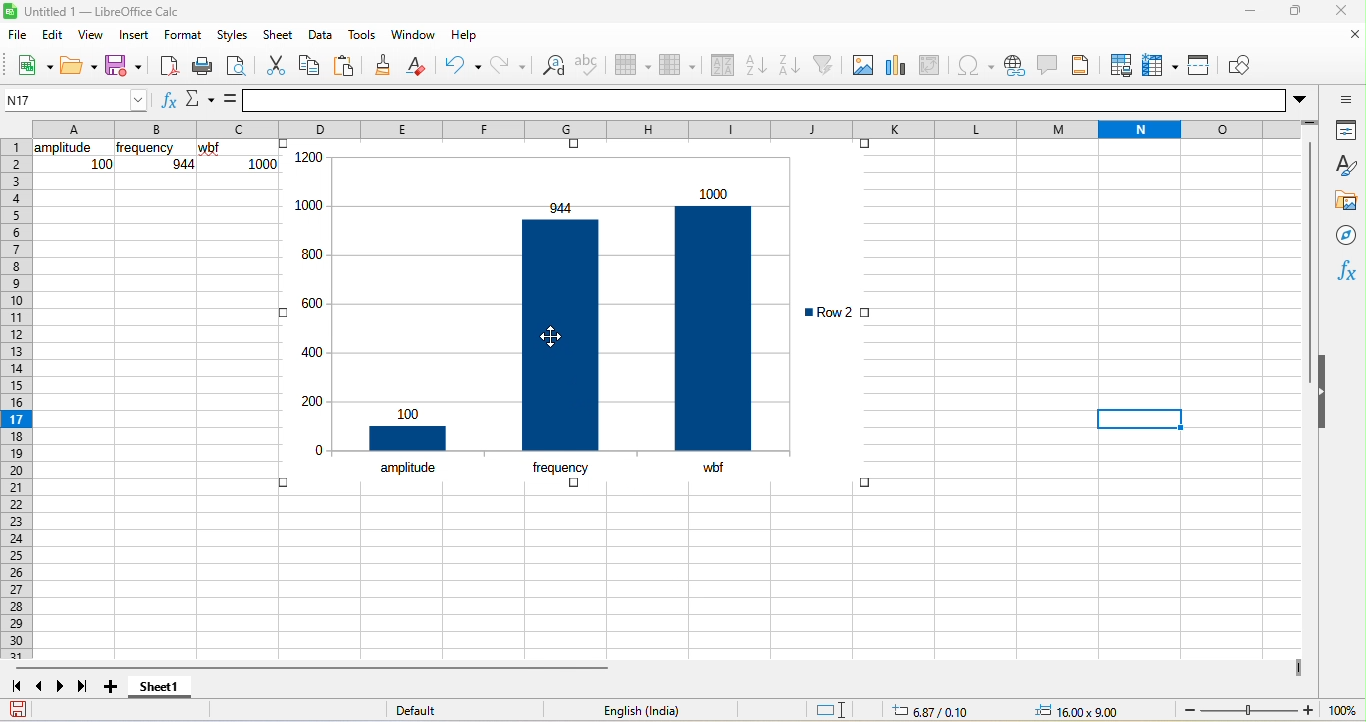 The width and height of the screenshot is (1366, 722). Describe the element at coordinates (789, 67) in the screenshot. I see `sort descending` at that location.